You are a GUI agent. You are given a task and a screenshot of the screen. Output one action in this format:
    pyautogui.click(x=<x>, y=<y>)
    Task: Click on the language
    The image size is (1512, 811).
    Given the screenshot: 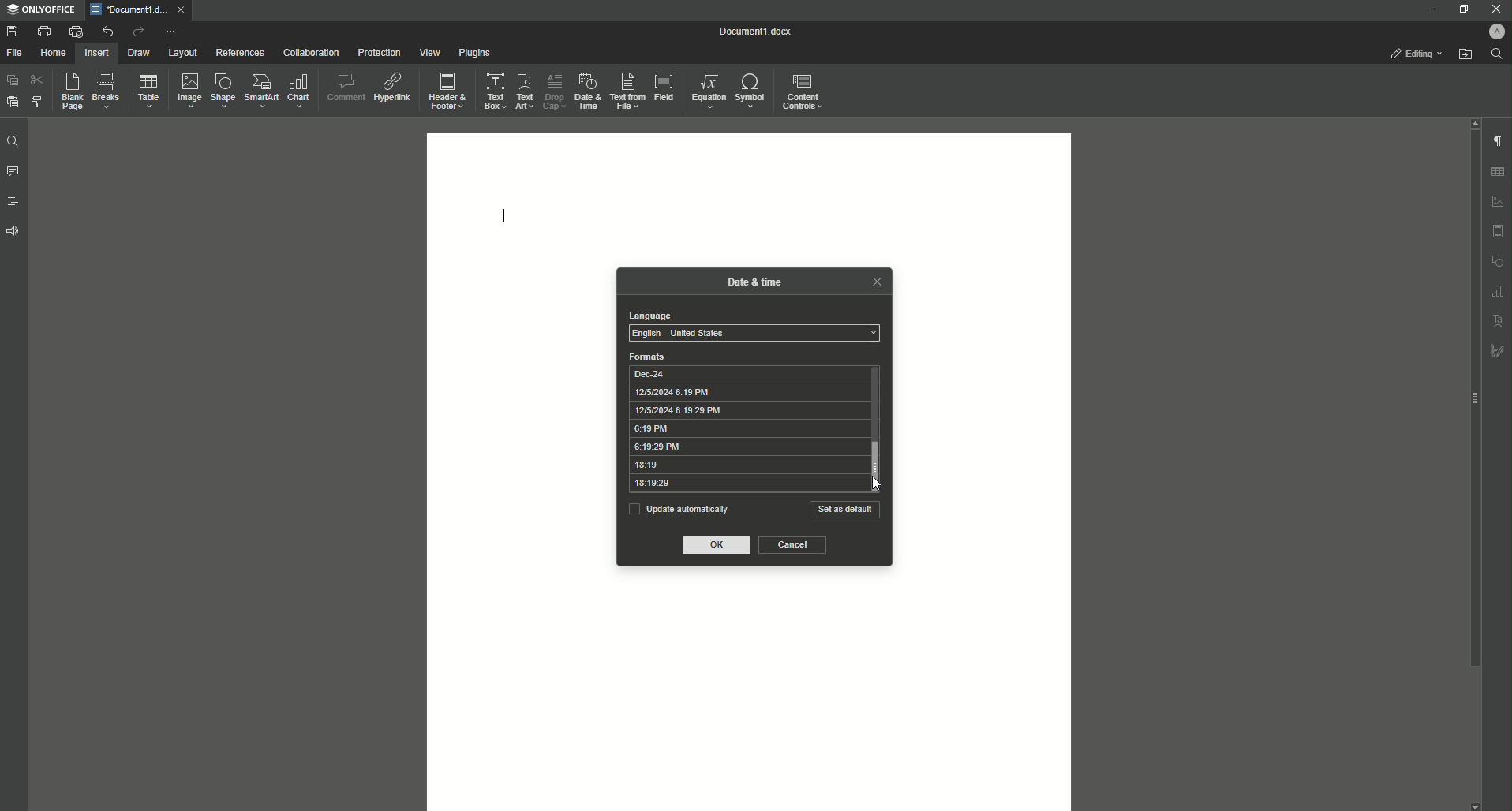 What is the action you would take?
    pyautogui.click(x=649, y=316)
    